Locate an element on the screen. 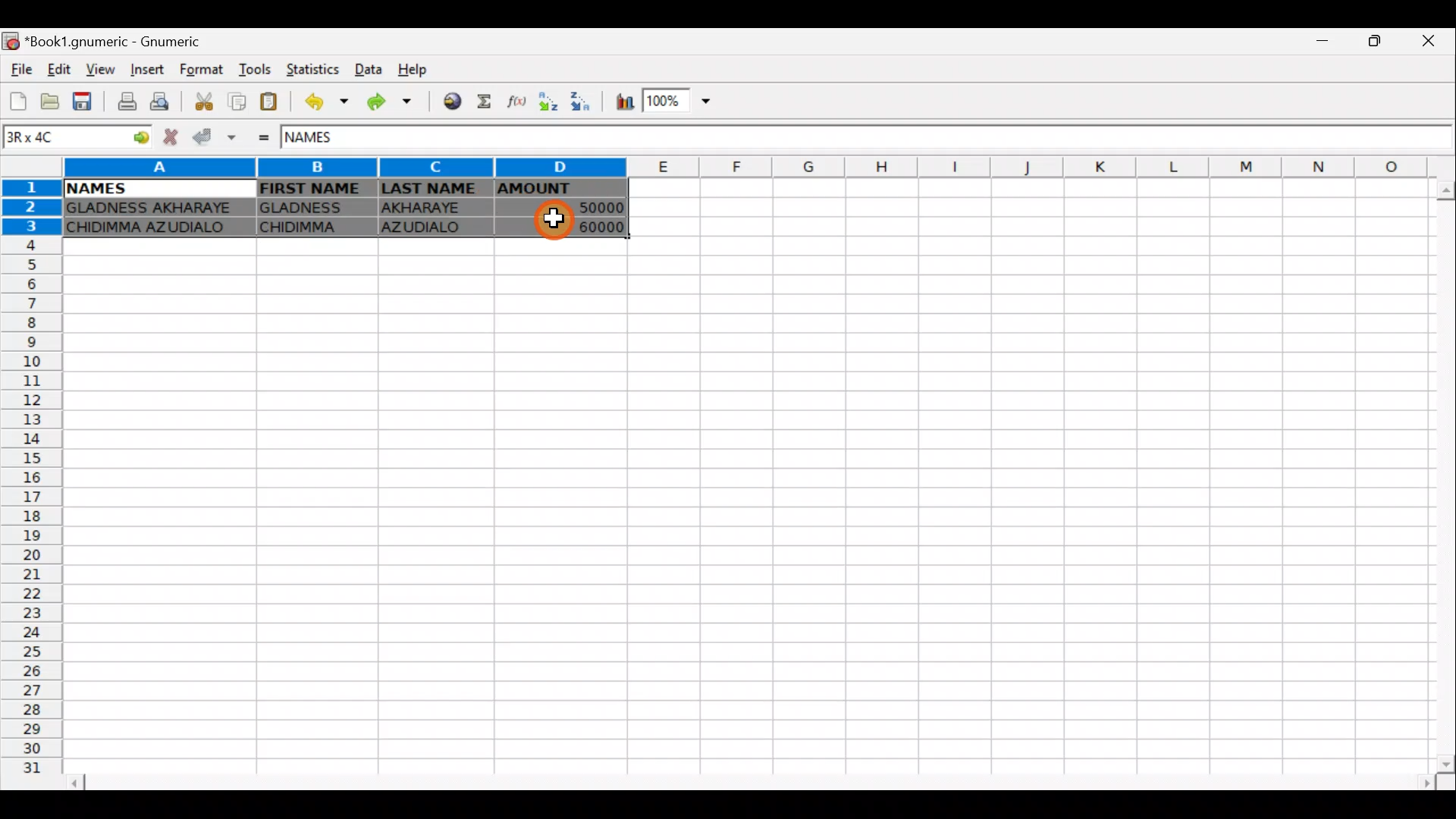  File is located at coordinates (21, 71).